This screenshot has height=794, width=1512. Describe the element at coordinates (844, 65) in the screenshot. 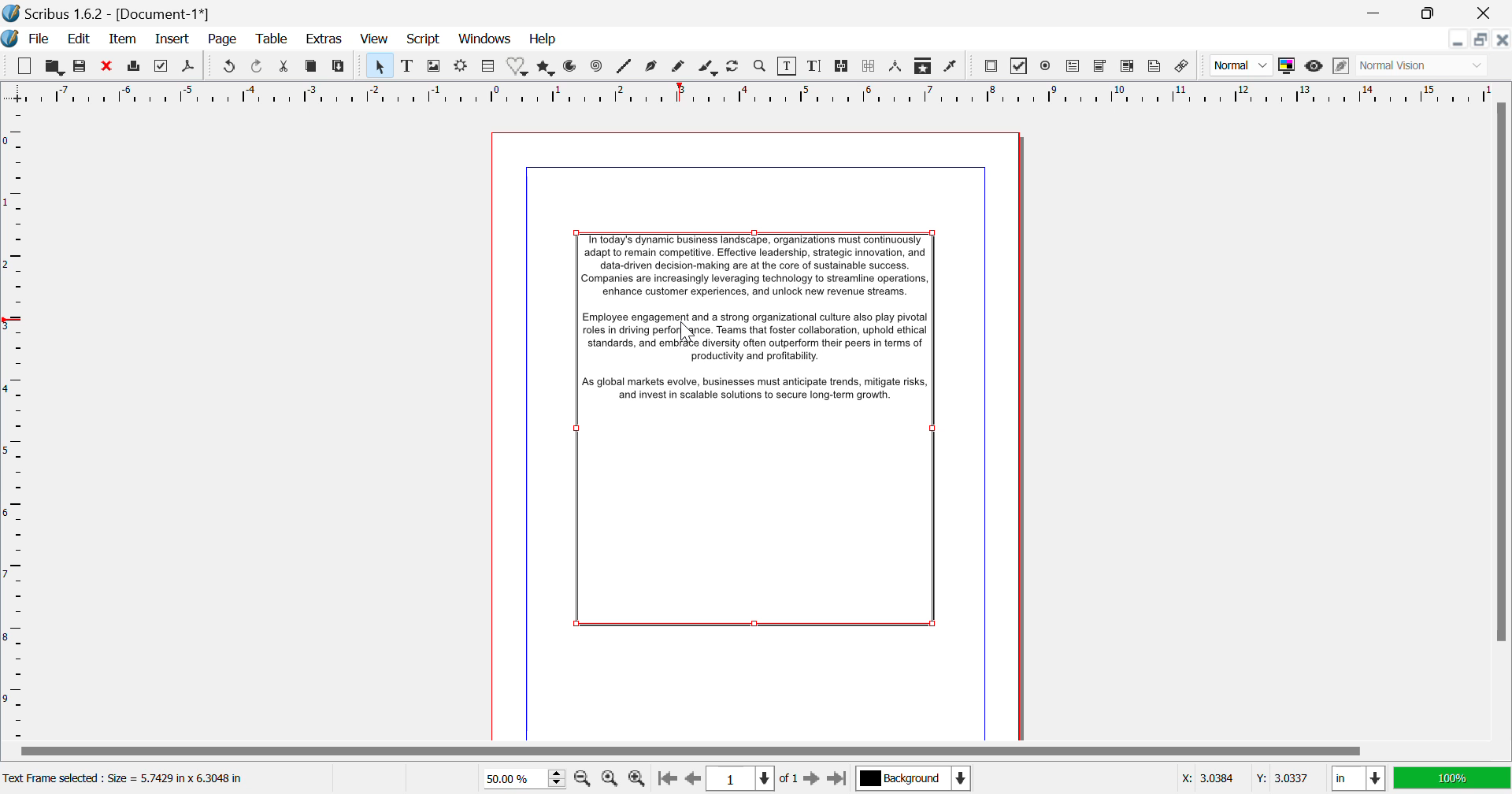

I see `Link Text Frames` at that location.